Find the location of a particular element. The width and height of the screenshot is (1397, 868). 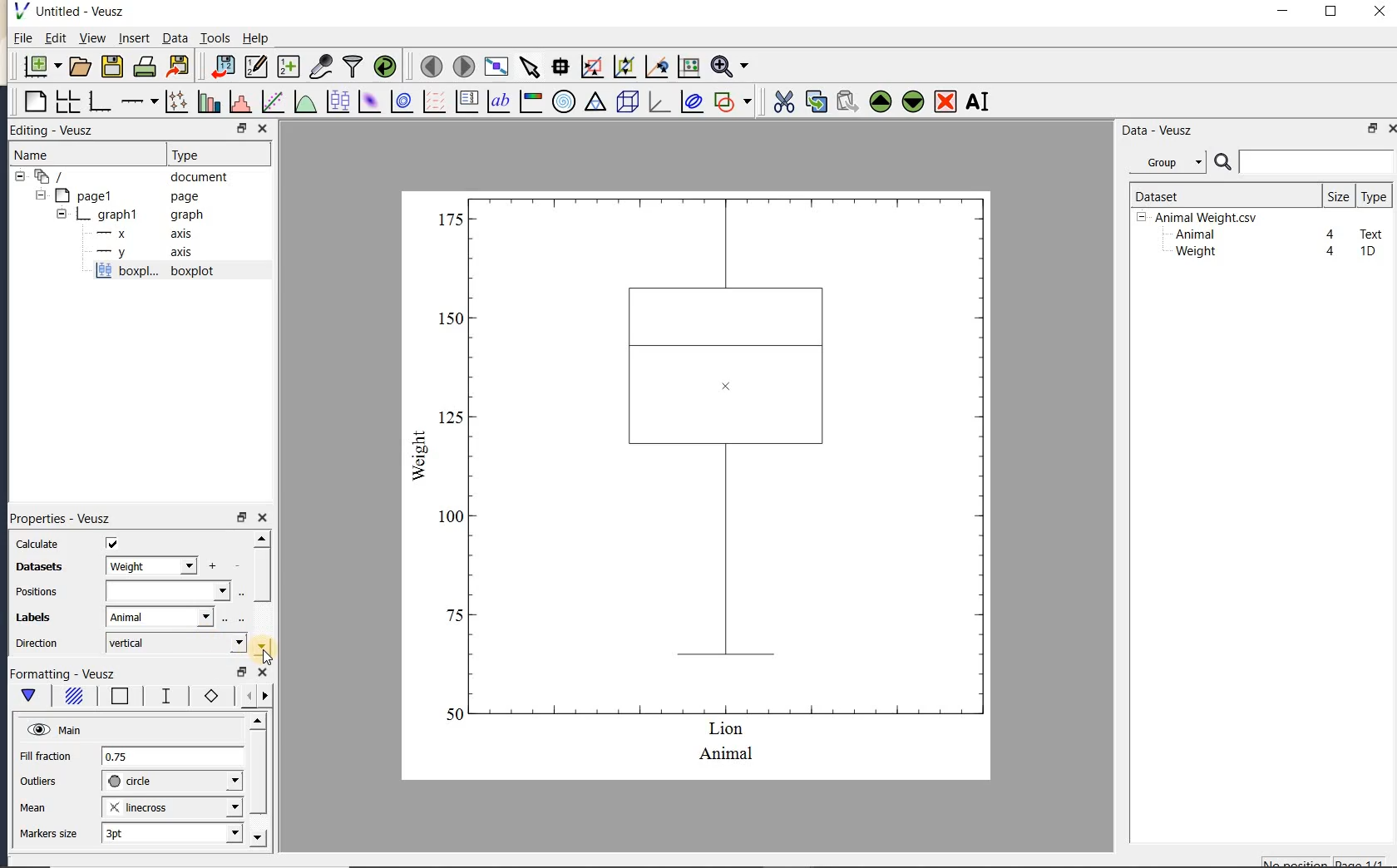

calculate is located at coordinates (38, 545).